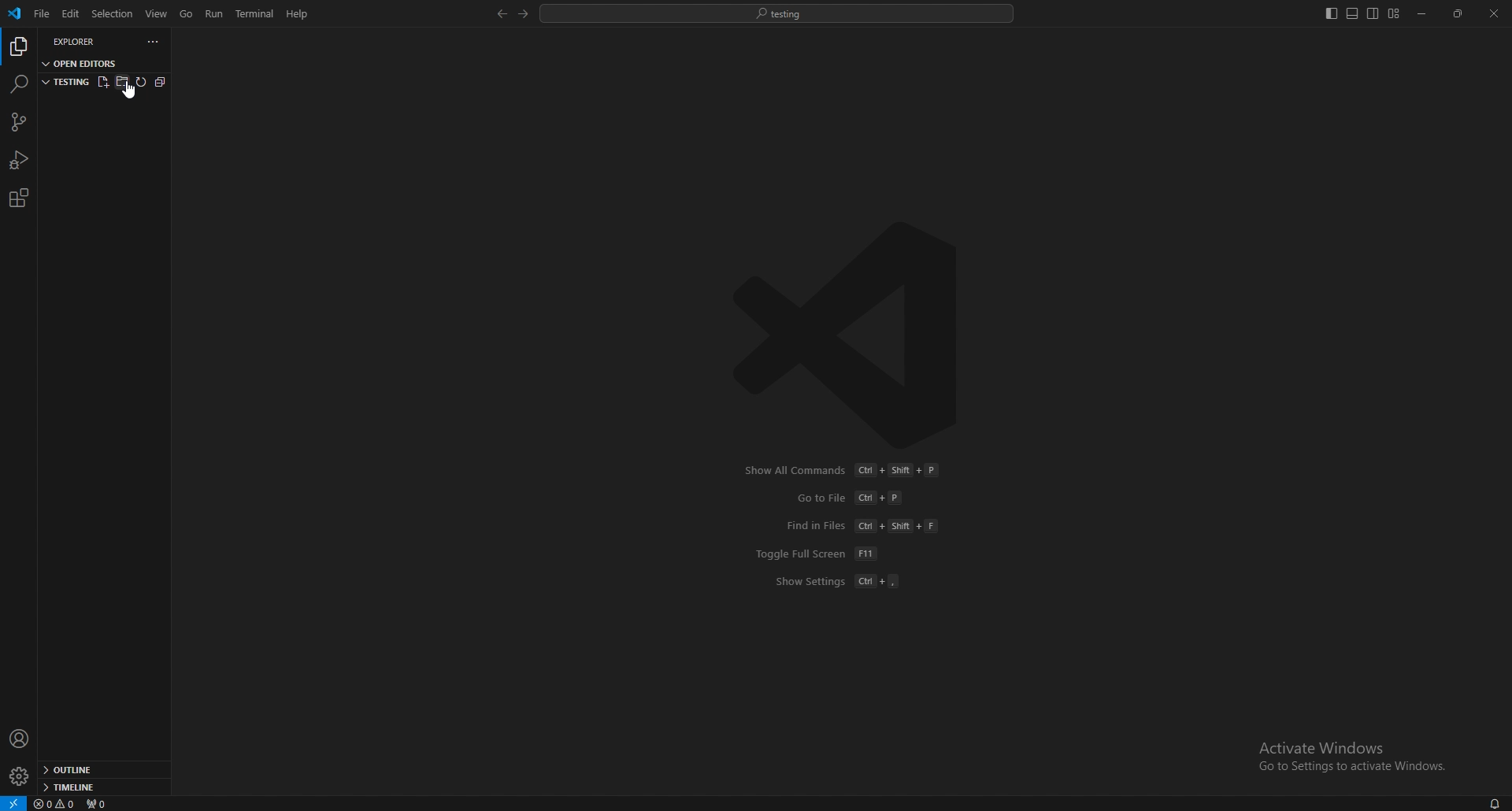  I want to click on explorer, so click(83, 41).